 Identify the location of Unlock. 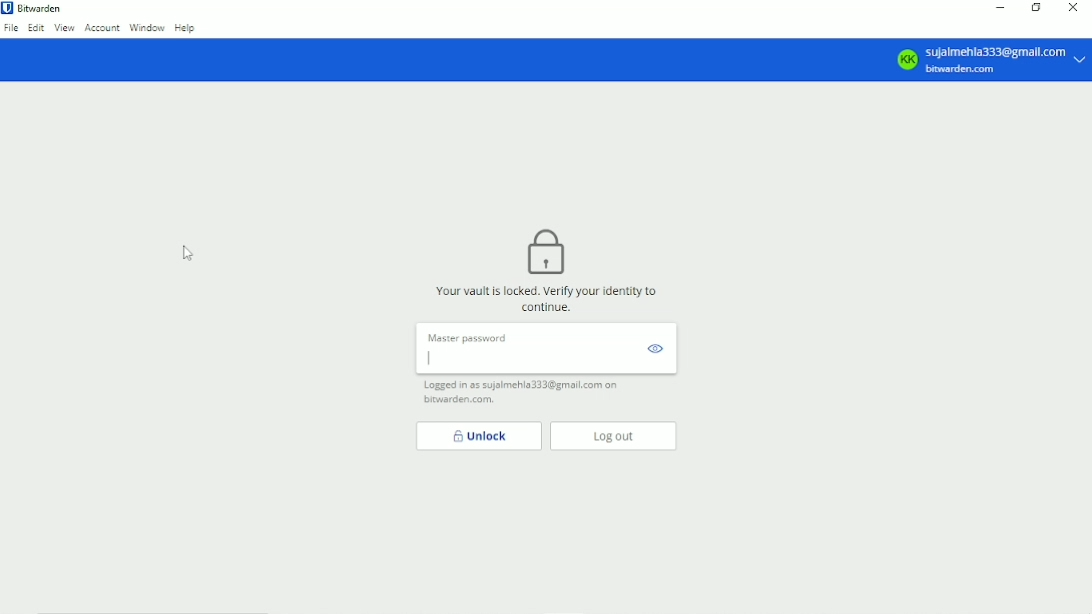
(478, 436).